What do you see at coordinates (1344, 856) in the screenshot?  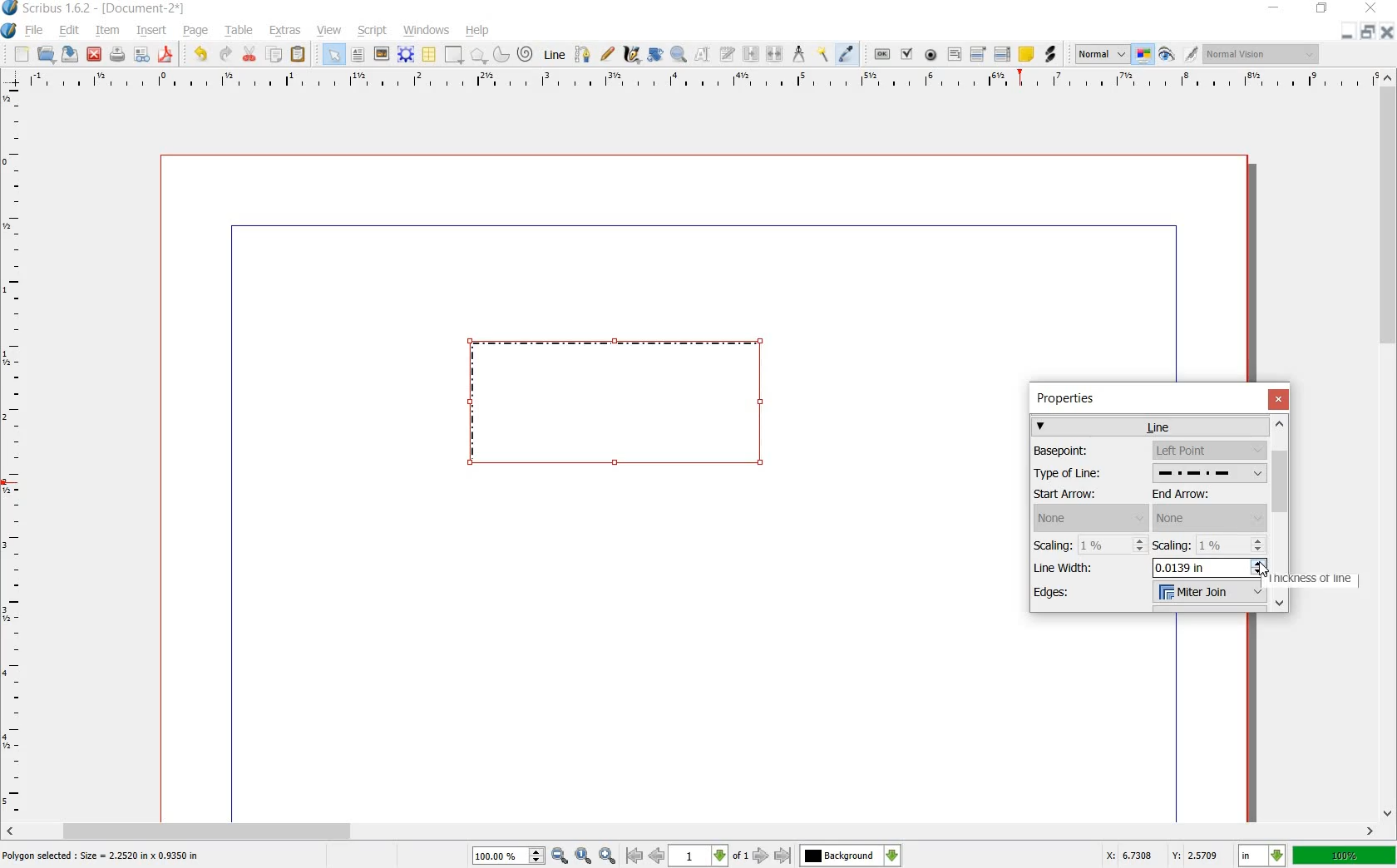 I see `100%` at bounding box center [1344, 856].